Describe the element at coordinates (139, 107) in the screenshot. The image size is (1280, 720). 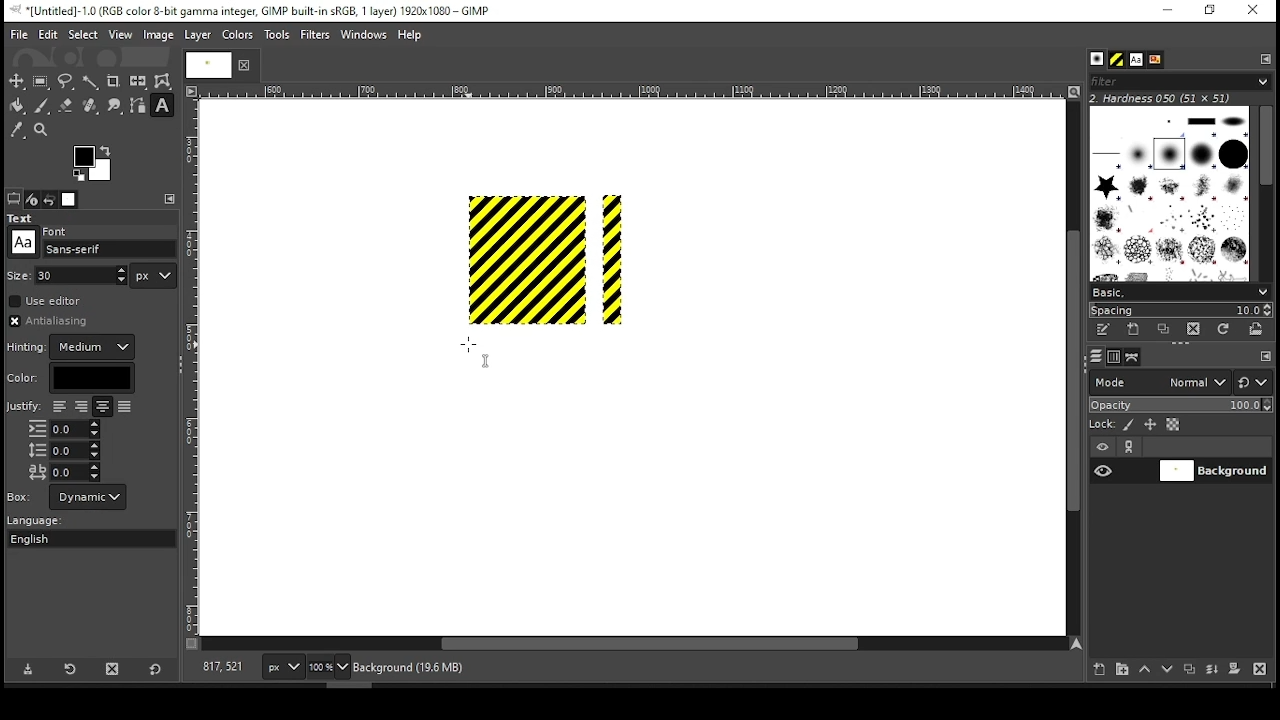
I see `paths tool` at that location.